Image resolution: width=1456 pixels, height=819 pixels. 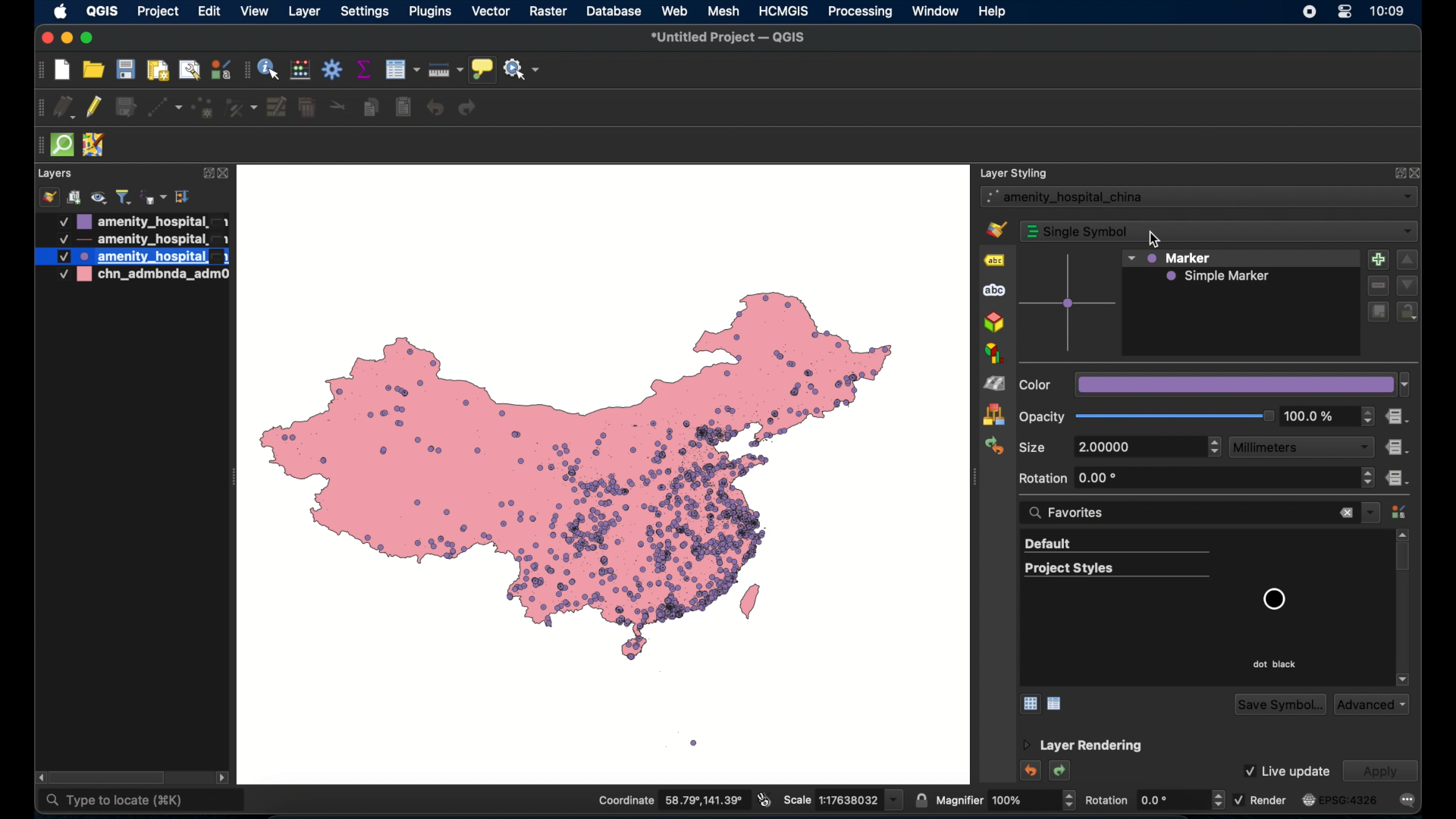 I want to click on open layout manager, so click(x=188, y=71).